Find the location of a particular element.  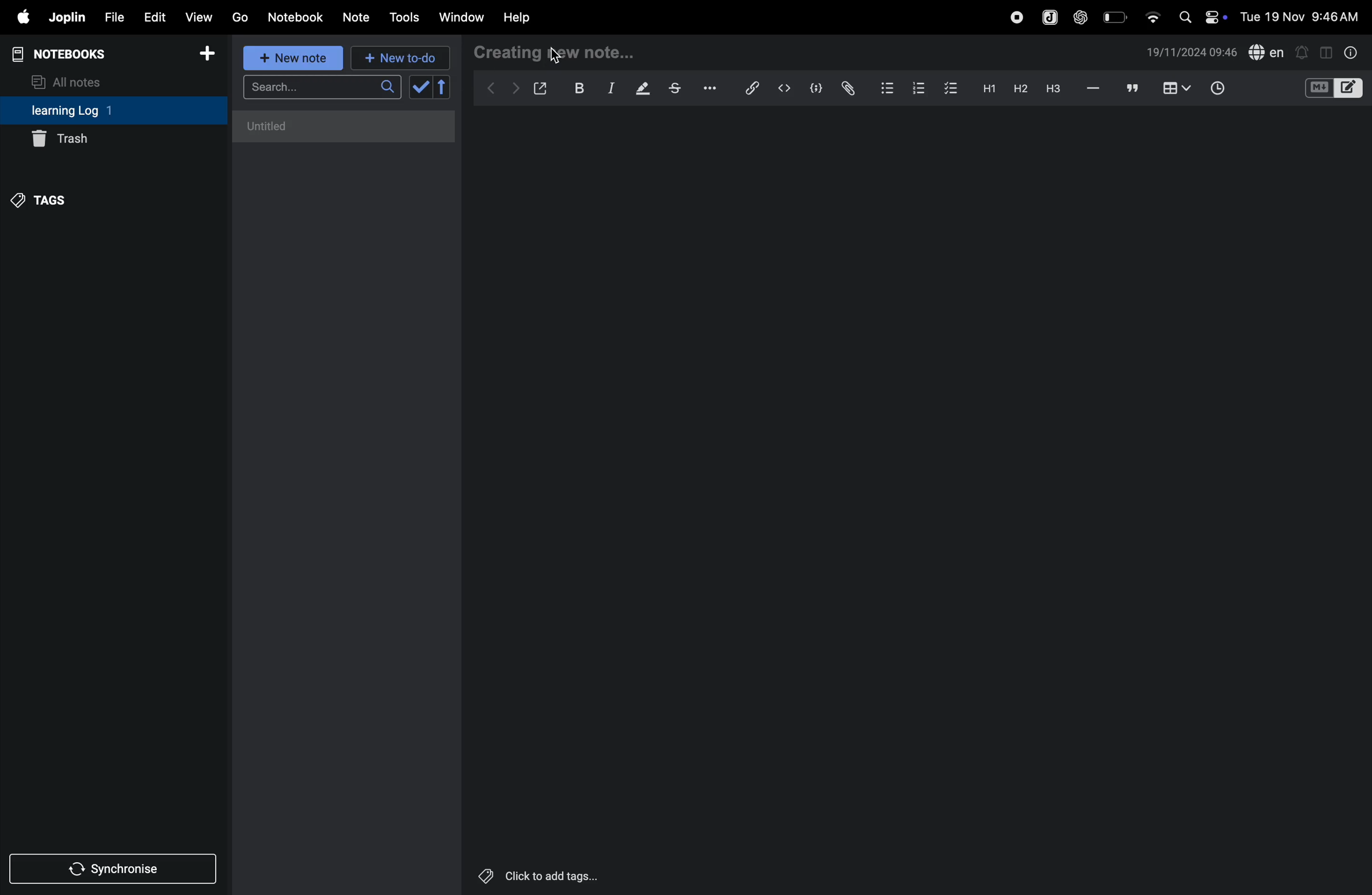

window is located at coordinates (462, 17).